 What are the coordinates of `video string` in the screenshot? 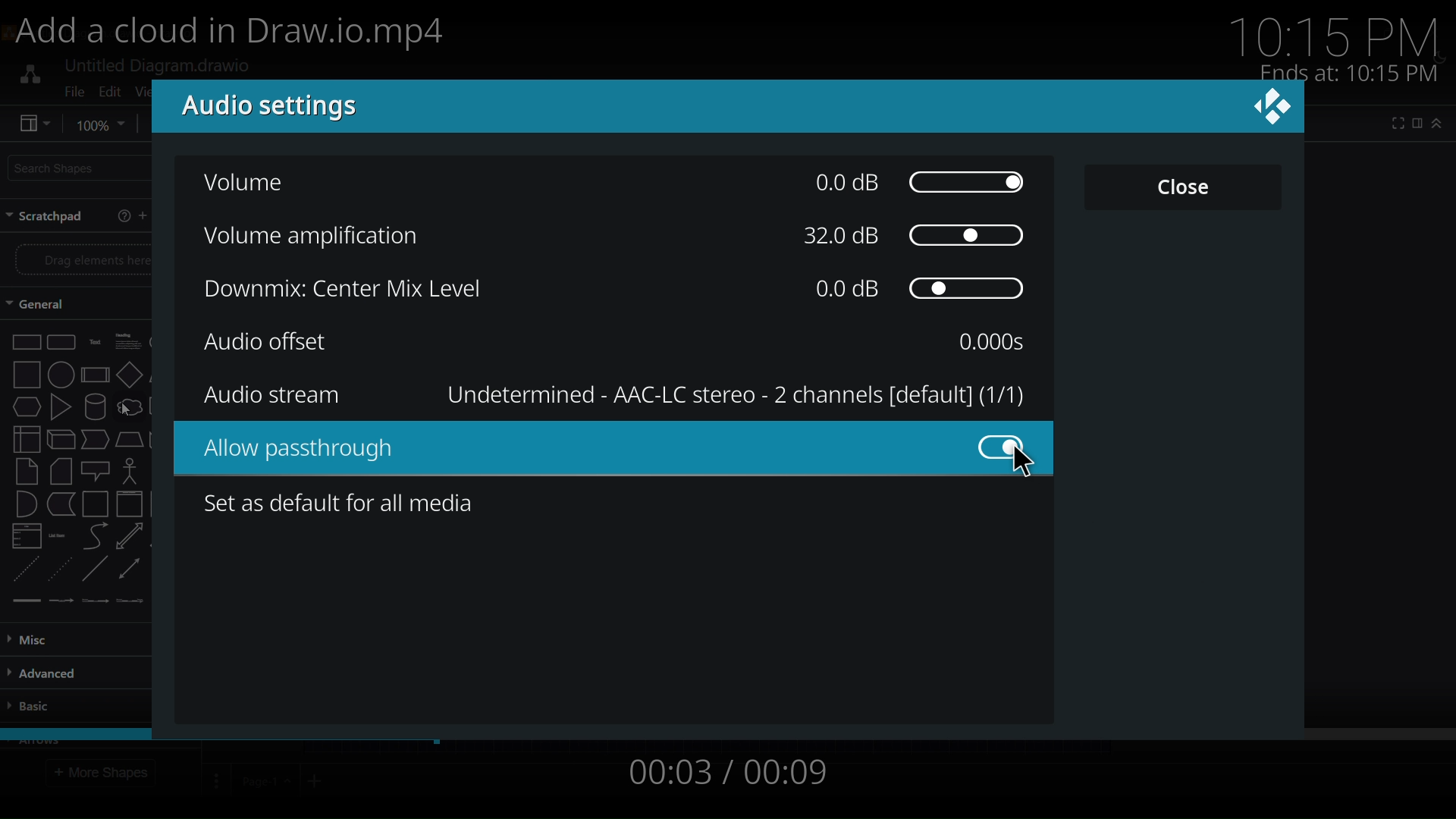 It's located at (734, 733).